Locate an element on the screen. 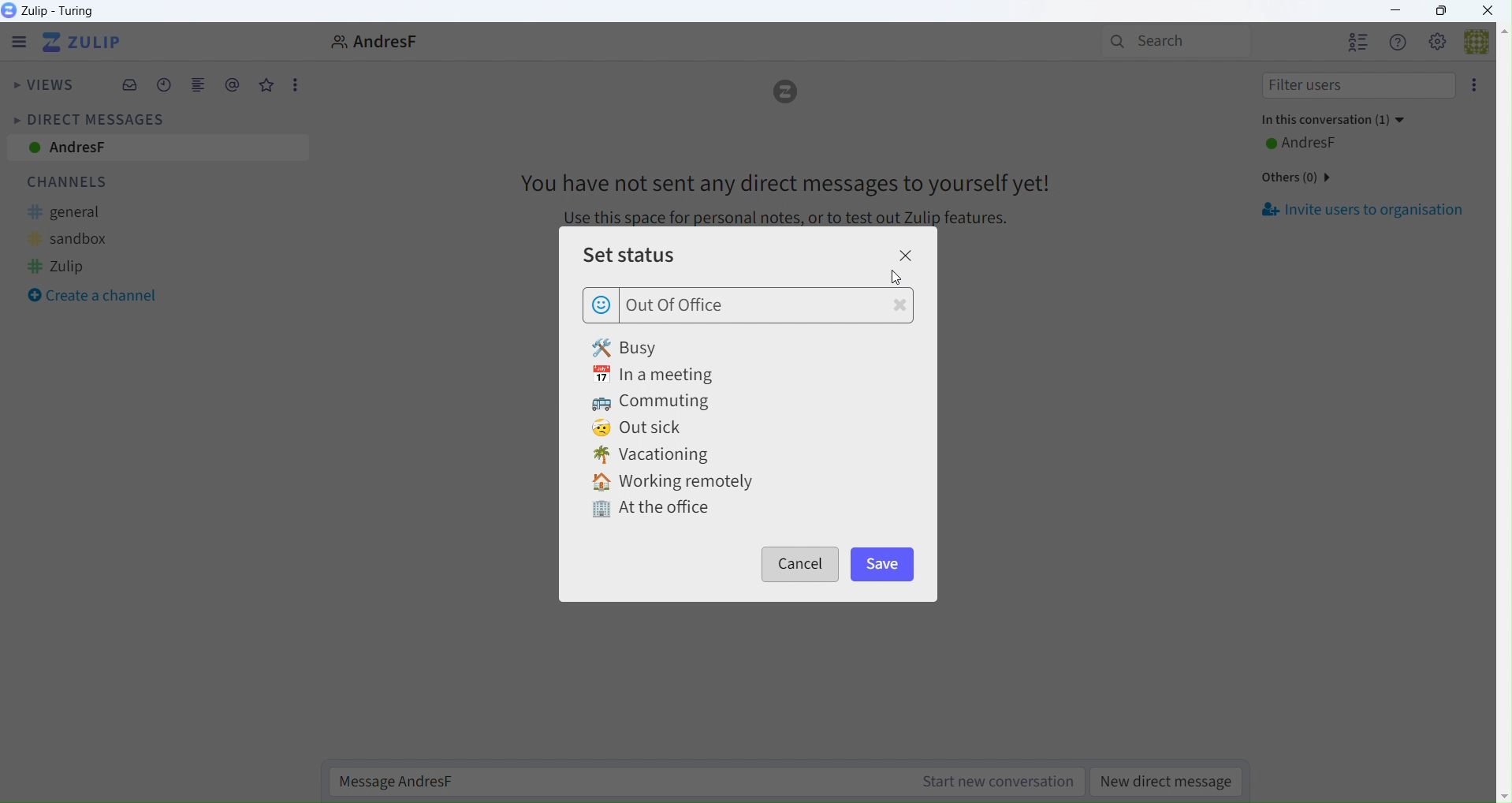 The image size is (1512, 803). Schedule is located at coordinates (165, 88).